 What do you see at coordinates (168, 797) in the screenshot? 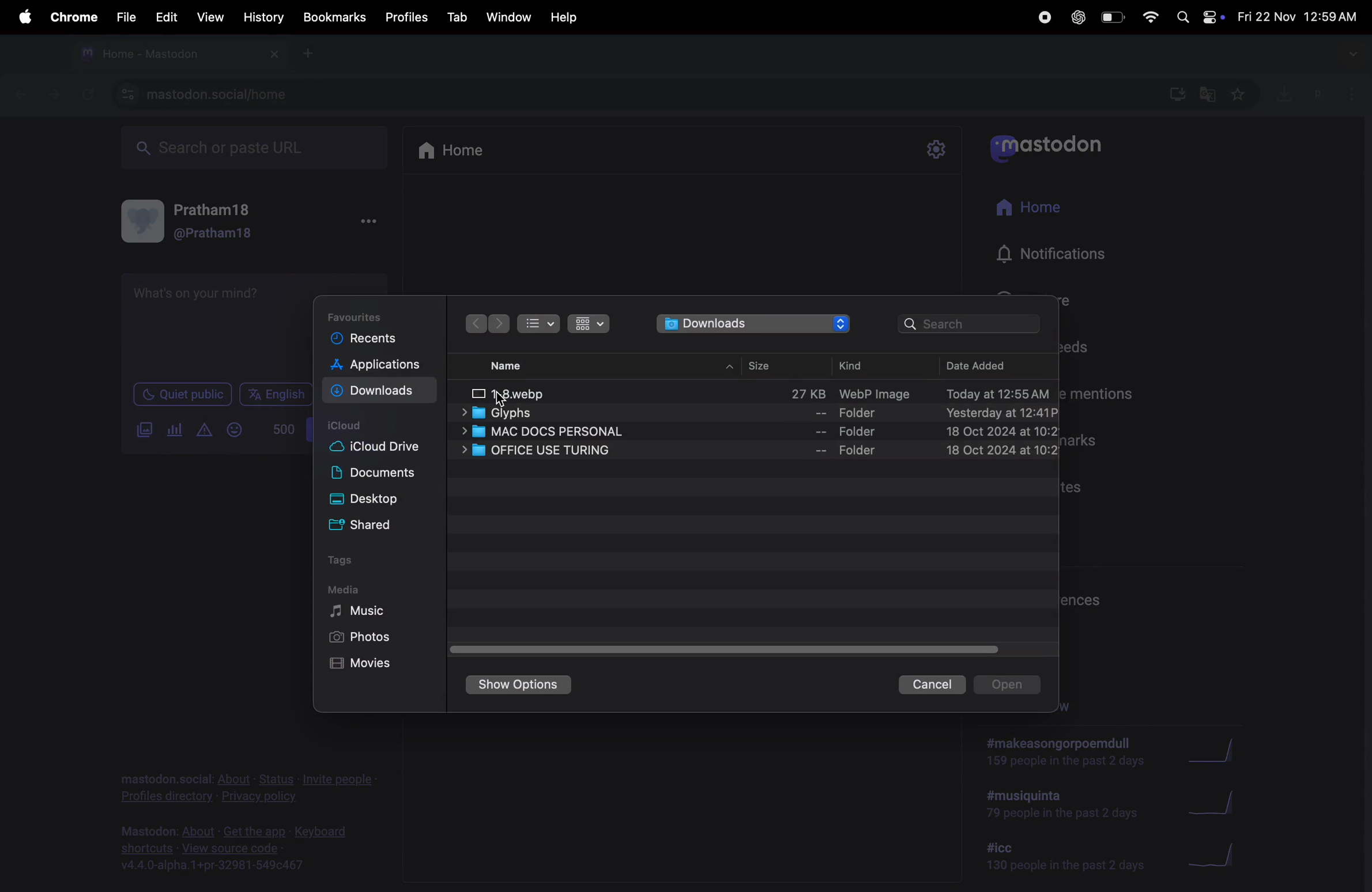
I see `profiles directory` at bounding box center [168, 797].